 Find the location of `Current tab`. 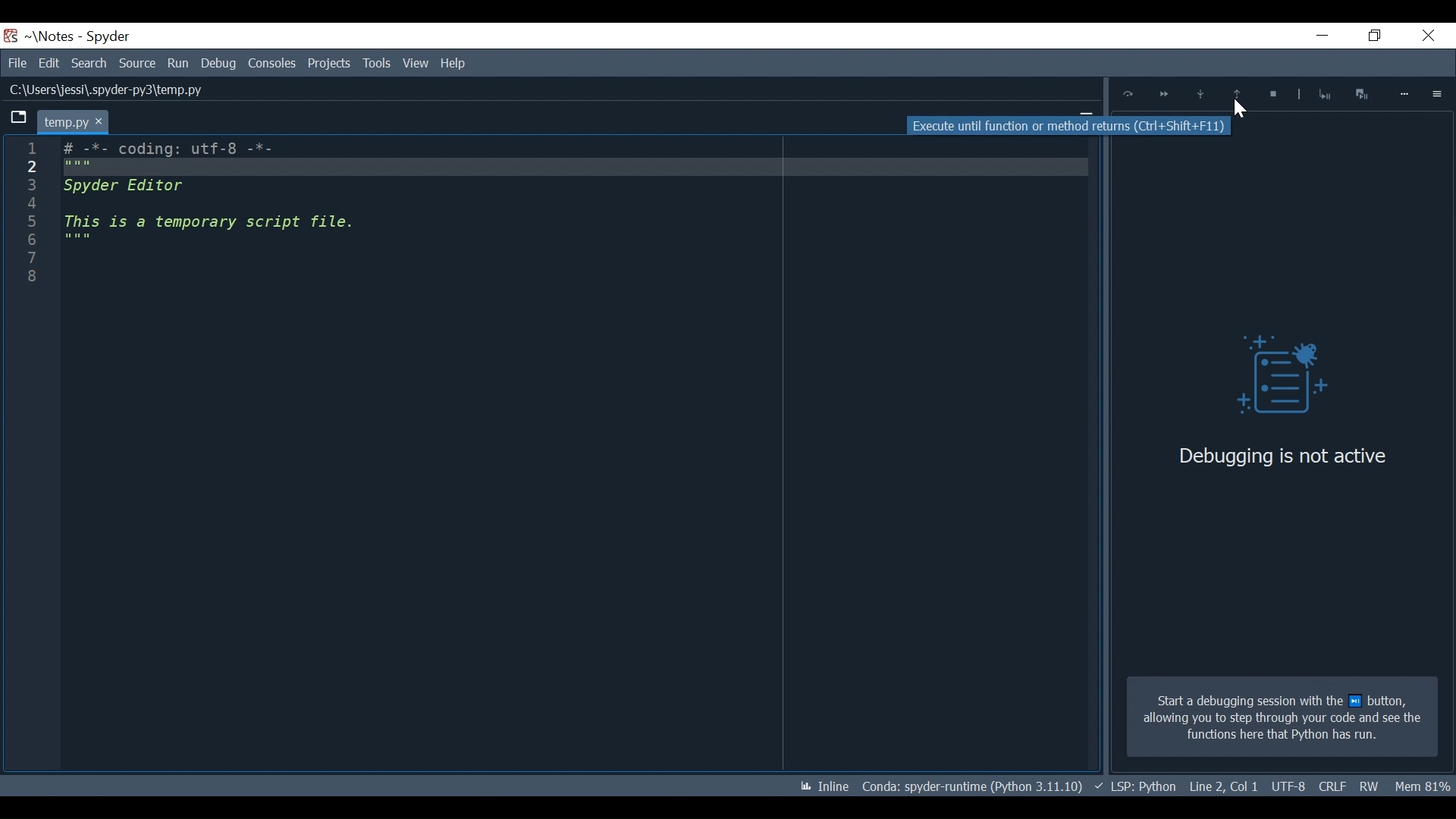

Current tab is located at coordinates (72, 121).